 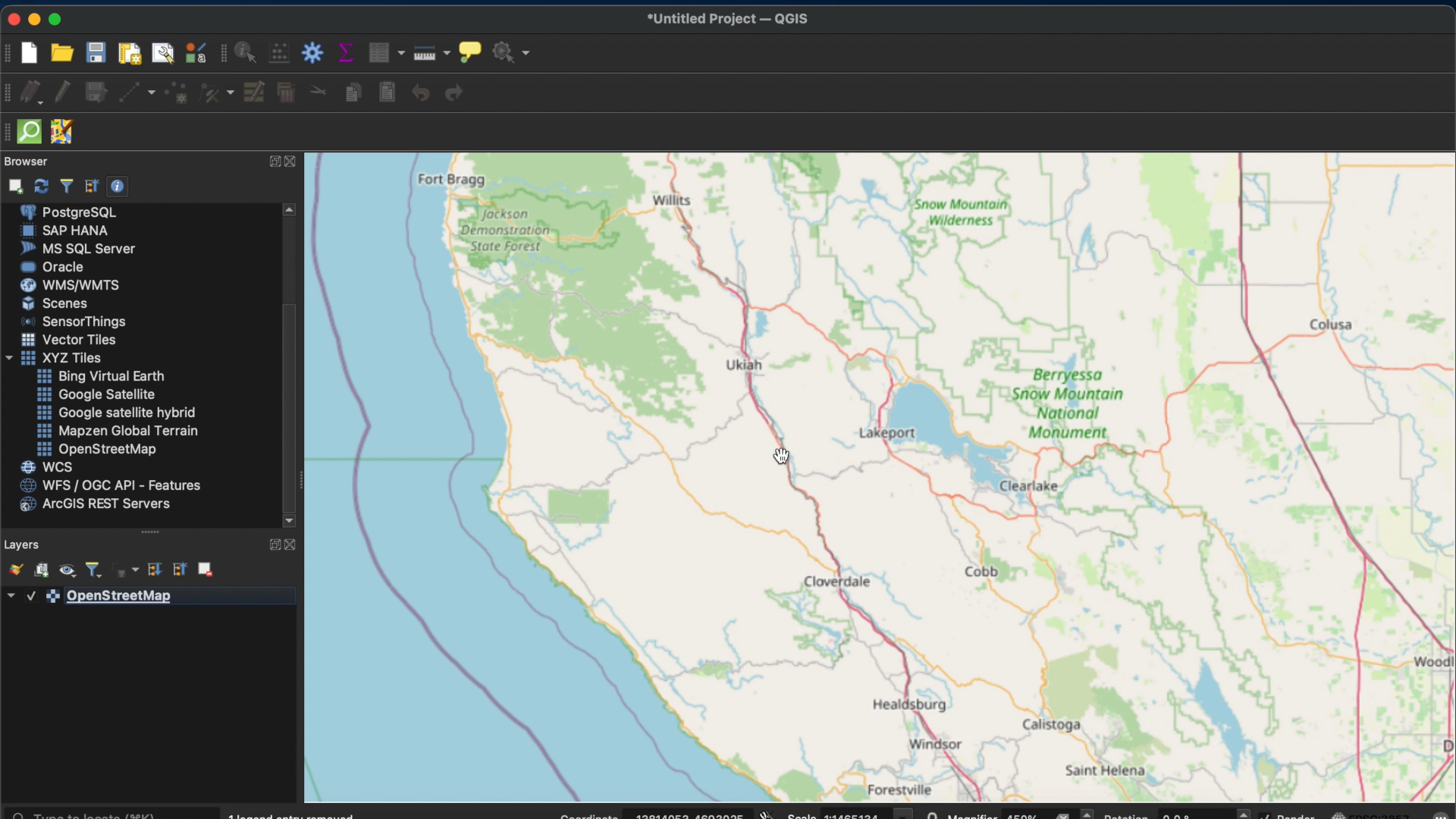 What do you see at coordinates (293, 367) in the screenshot?
I see `SCROLLBAR` at bounding box center [293, 367].